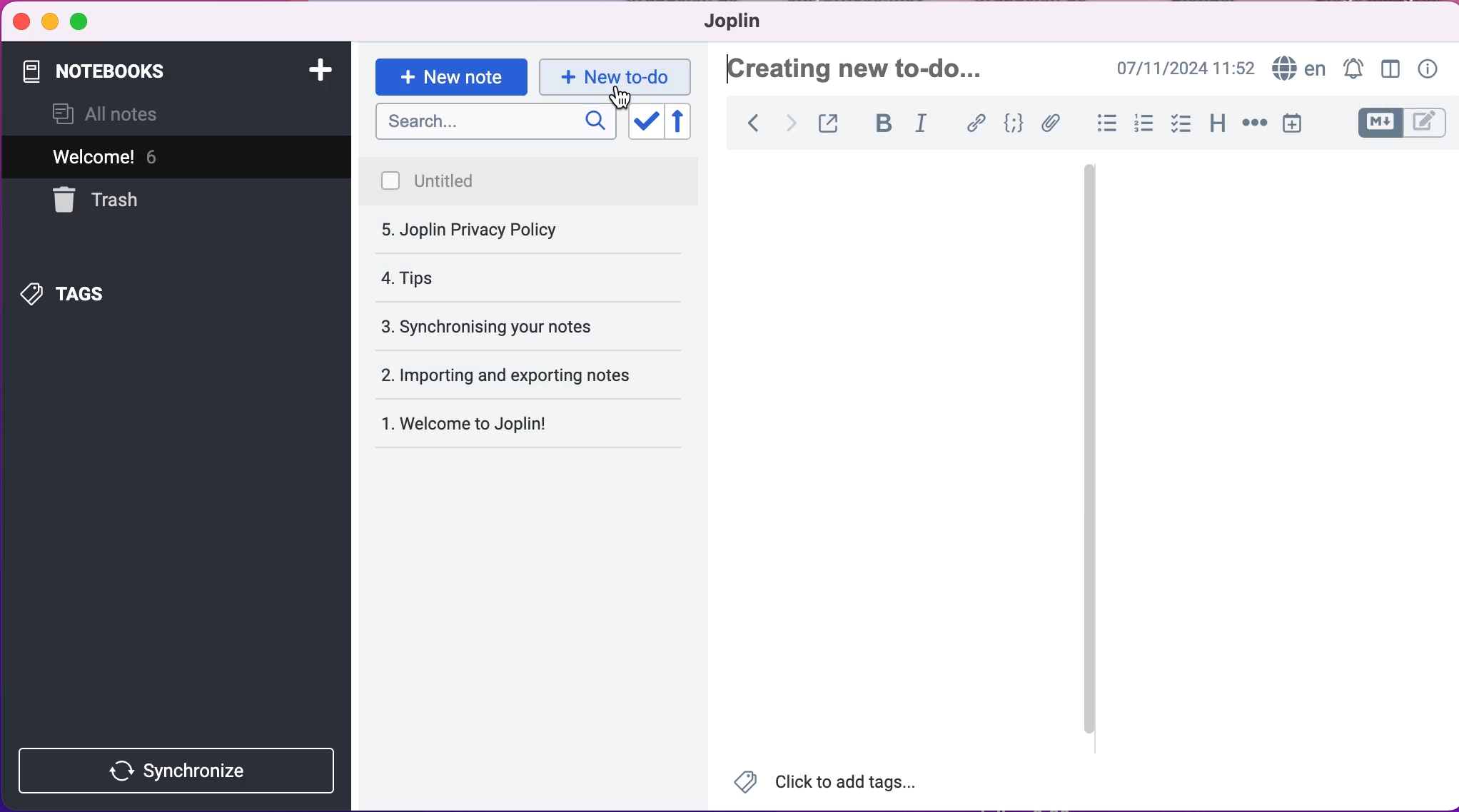 This screenshot has width=1459, height=812. What do you see at coordinates (748, 24) in the screenshot?
I see `joplin` at bounding box center [748, 24].